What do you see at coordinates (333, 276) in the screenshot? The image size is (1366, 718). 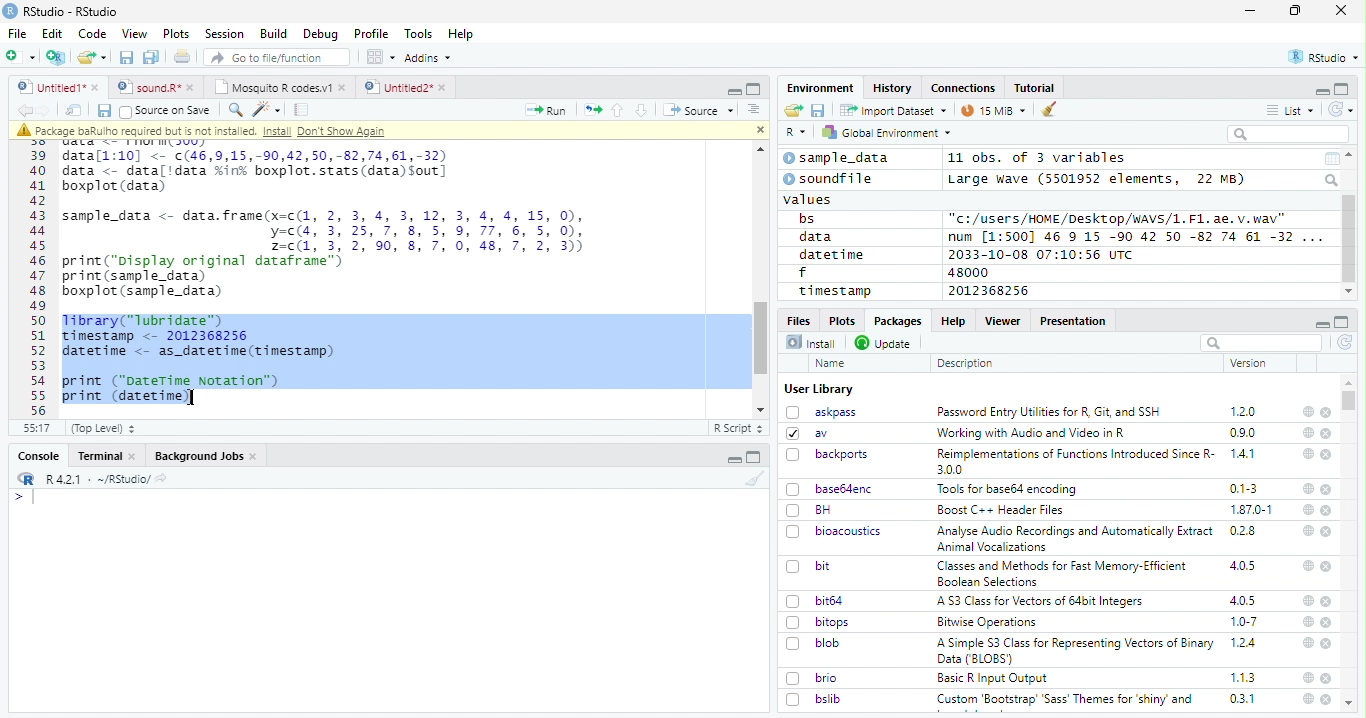 I see `data[1:10] <- c(46,9,15,-90,42,50,-82,74,61,-32)

data <_ data[!data ink boxplot.stats(data)sout]

boxplot (data)

sample_data <- data.frame(x=c(1, 2, 3, 4, 3, 12, 3, 4, 4, 15, 0),
y-c(4, 3, 25,7, 8,5, 9,77, 6,5, 0),
2=c(1, 3, 2, 90, 8, 7, 0, 48, 7, 2, 3))

print("pisplay original dataframe™)

print (sample_data)

boxplot (sample_data)

Jibrary("lubridate™)

Timestamp <- 2012368256

datetime <- as_datetime(tinestanp)

print ("DateTime Notation")

print (datetime)` at bounding box center [333, 276].